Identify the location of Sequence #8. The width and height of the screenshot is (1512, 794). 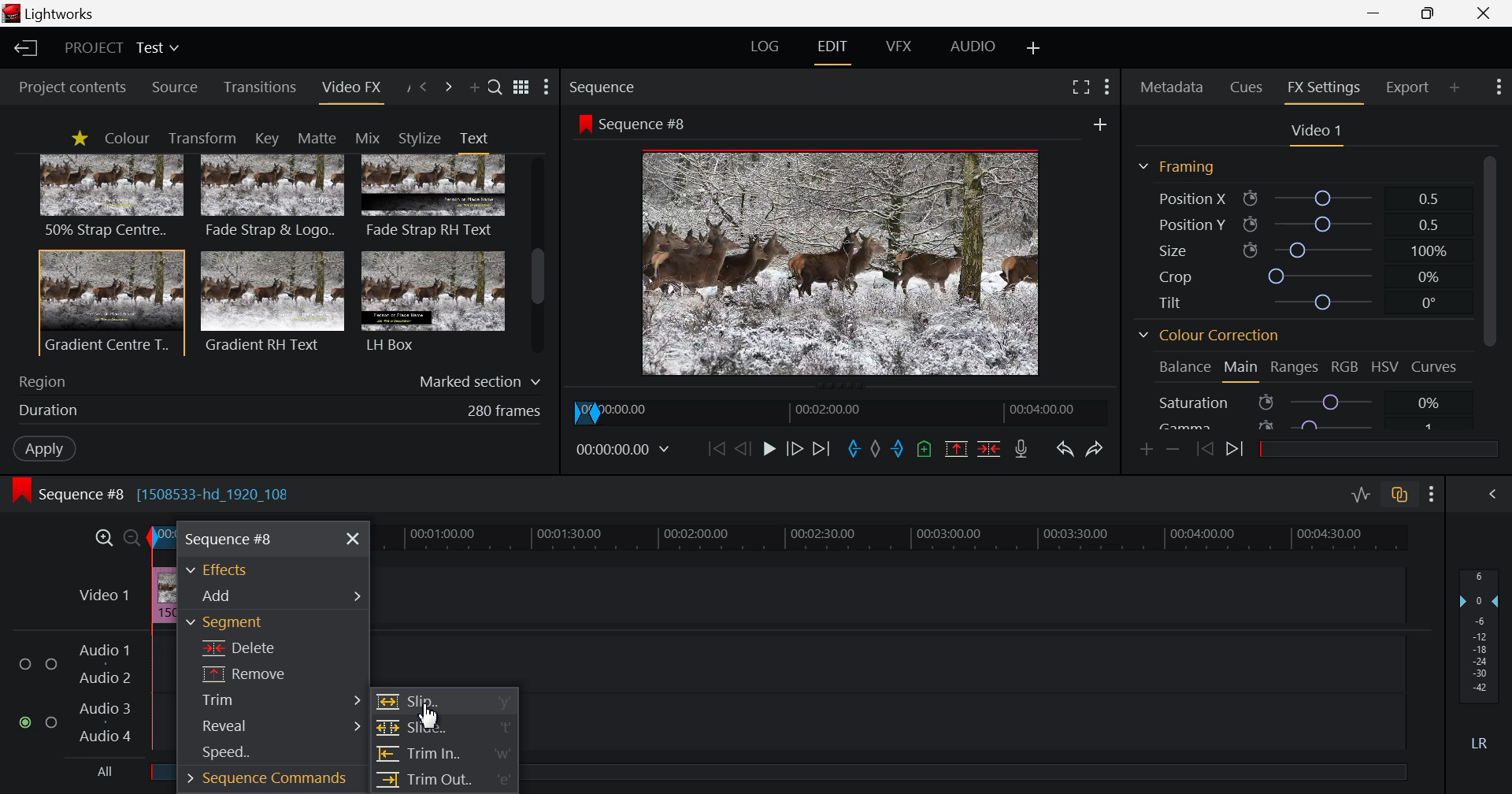
(639, 122).